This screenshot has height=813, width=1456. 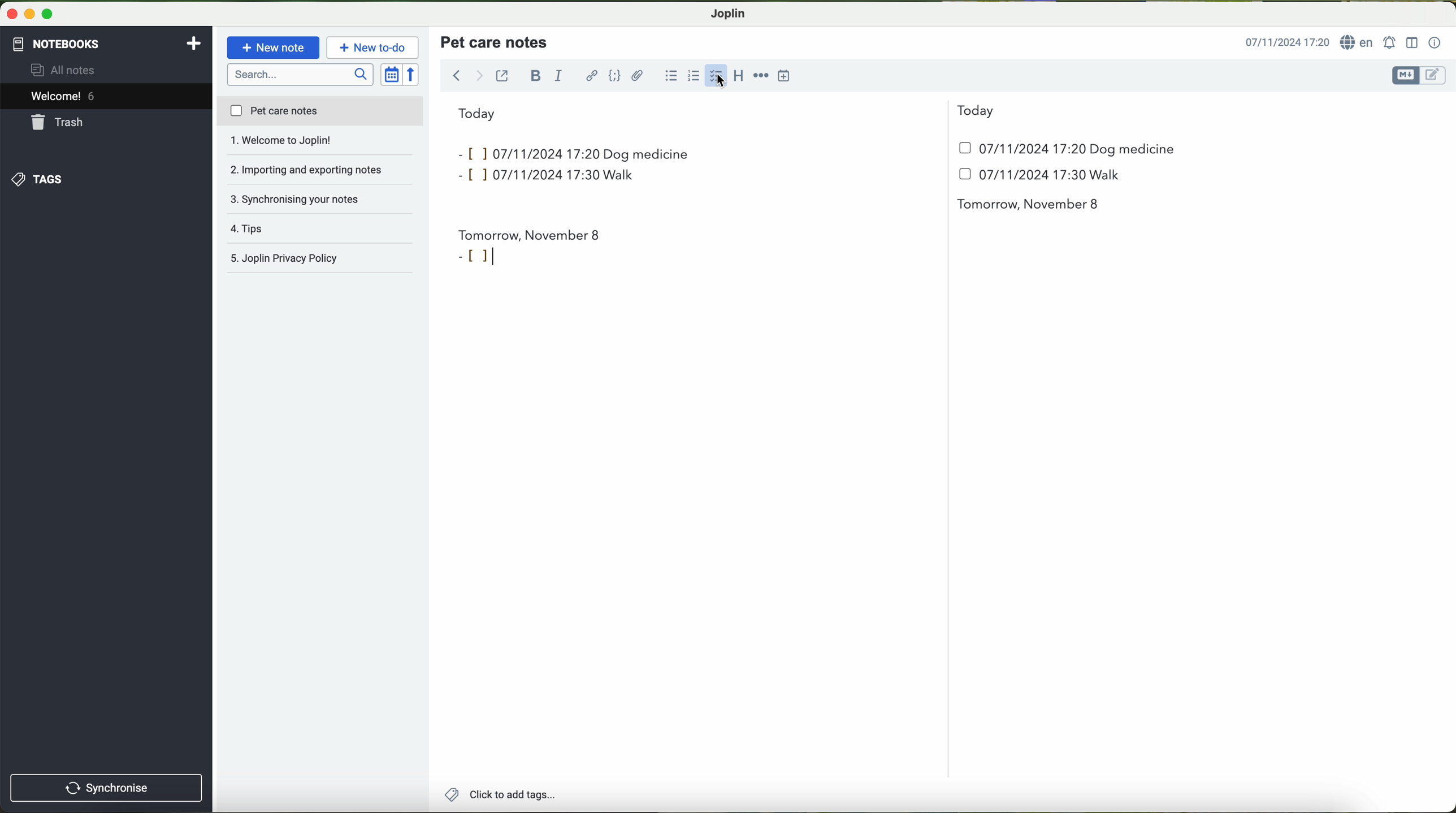 What do you see at coordinates (530, 232) in the screenshot?
I see `tomorrow` at bounding box center [530, 232].